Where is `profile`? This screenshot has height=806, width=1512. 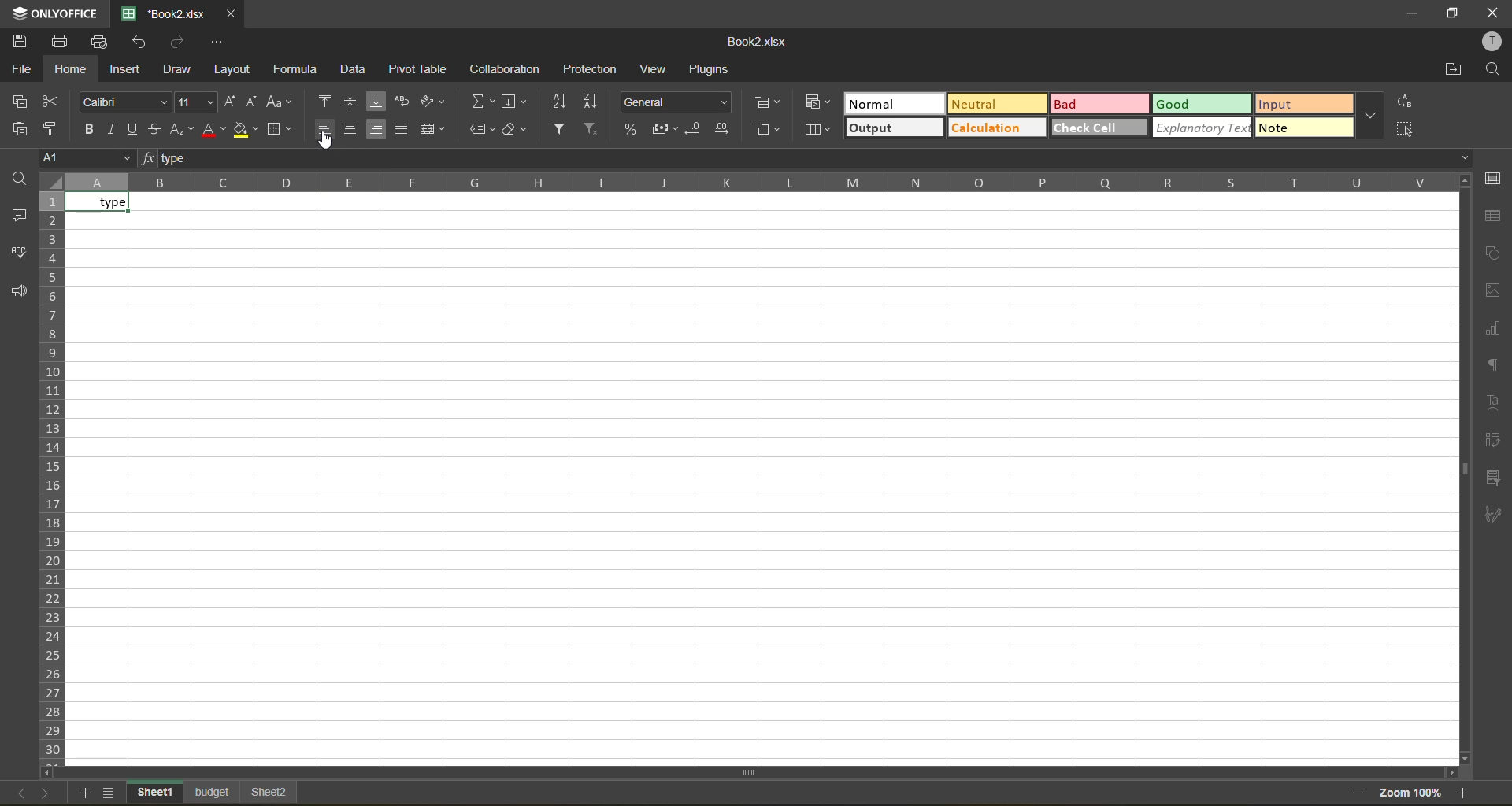 profile is located at coordinates (1489, 40).